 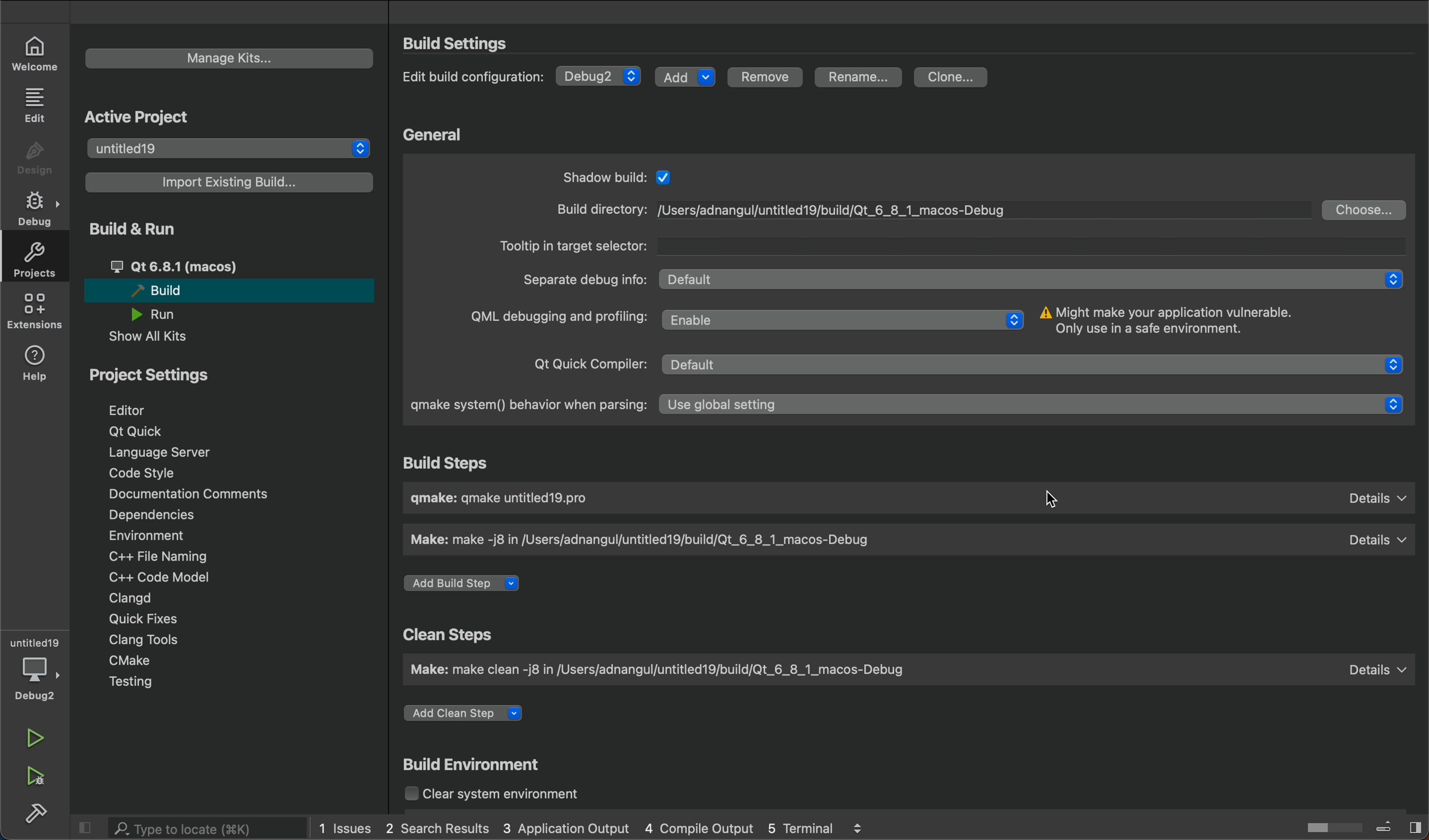 I want to click on EDIT, so click(x=37, y=104).